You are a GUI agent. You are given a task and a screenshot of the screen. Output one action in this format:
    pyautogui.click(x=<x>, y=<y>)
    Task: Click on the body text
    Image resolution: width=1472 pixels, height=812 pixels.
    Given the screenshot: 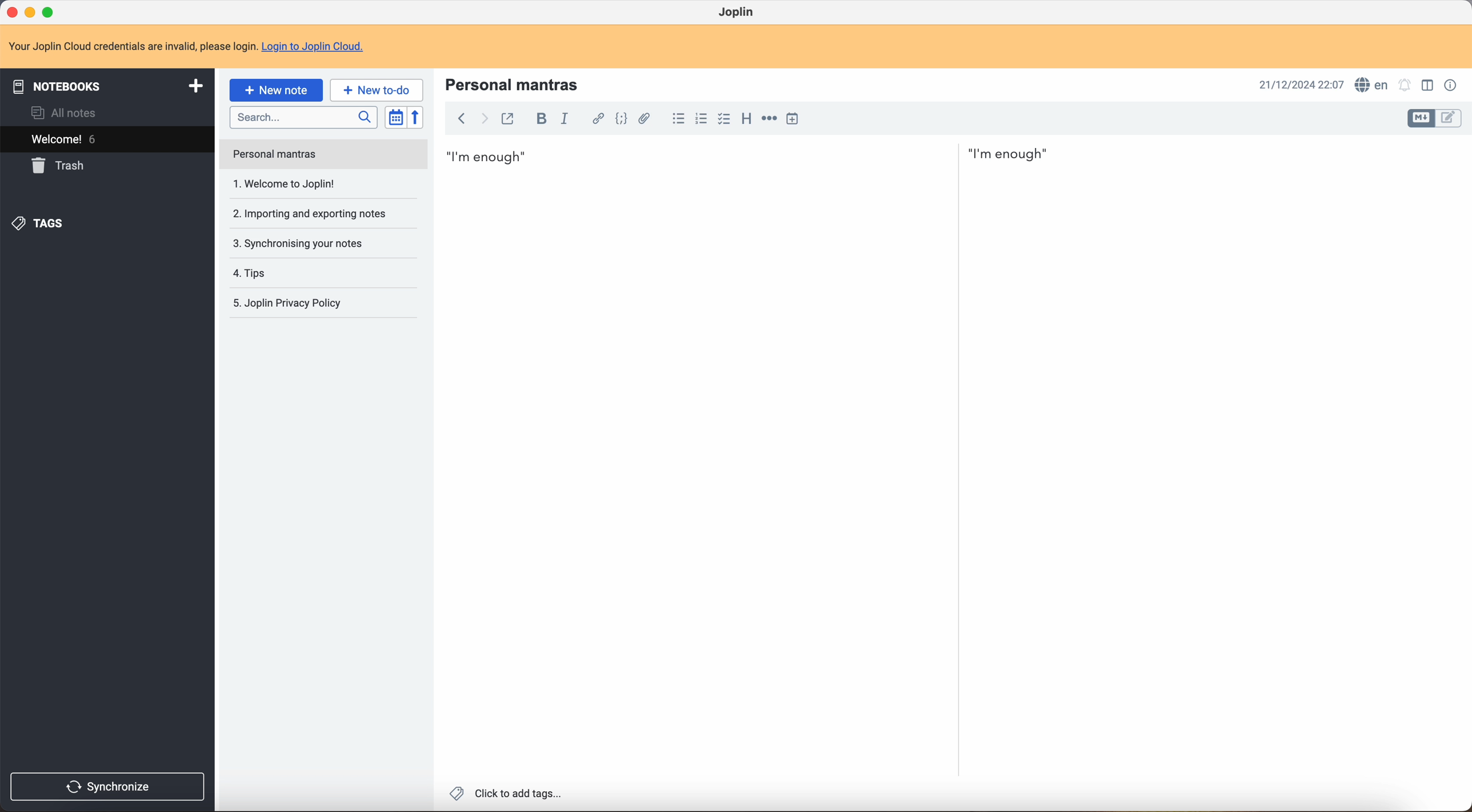 What is the action you would take?
    pyautogui.click(x=1210, y=450)
    